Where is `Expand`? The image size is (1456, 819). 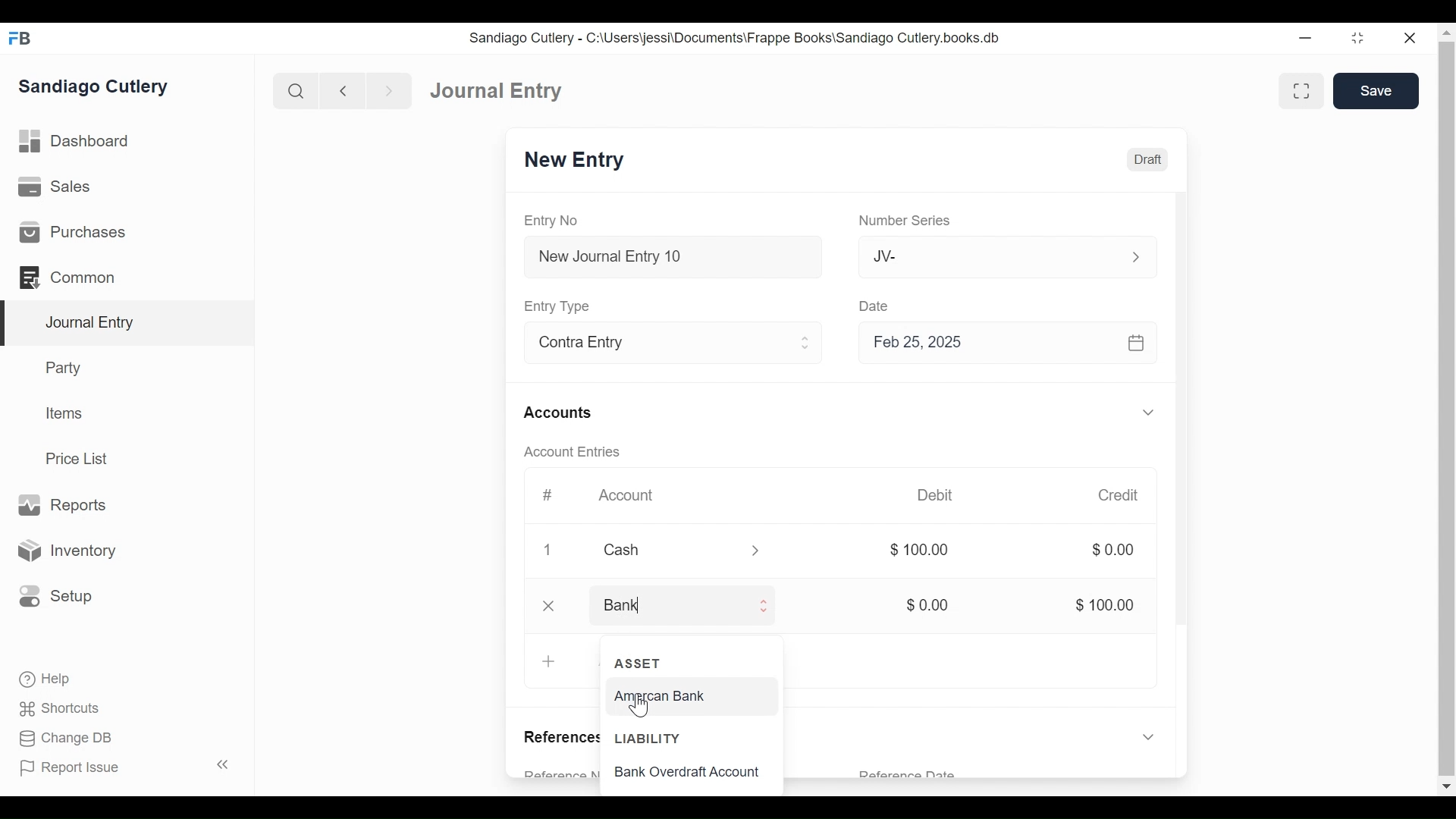
Expand is located at coordinates (1134, 255).